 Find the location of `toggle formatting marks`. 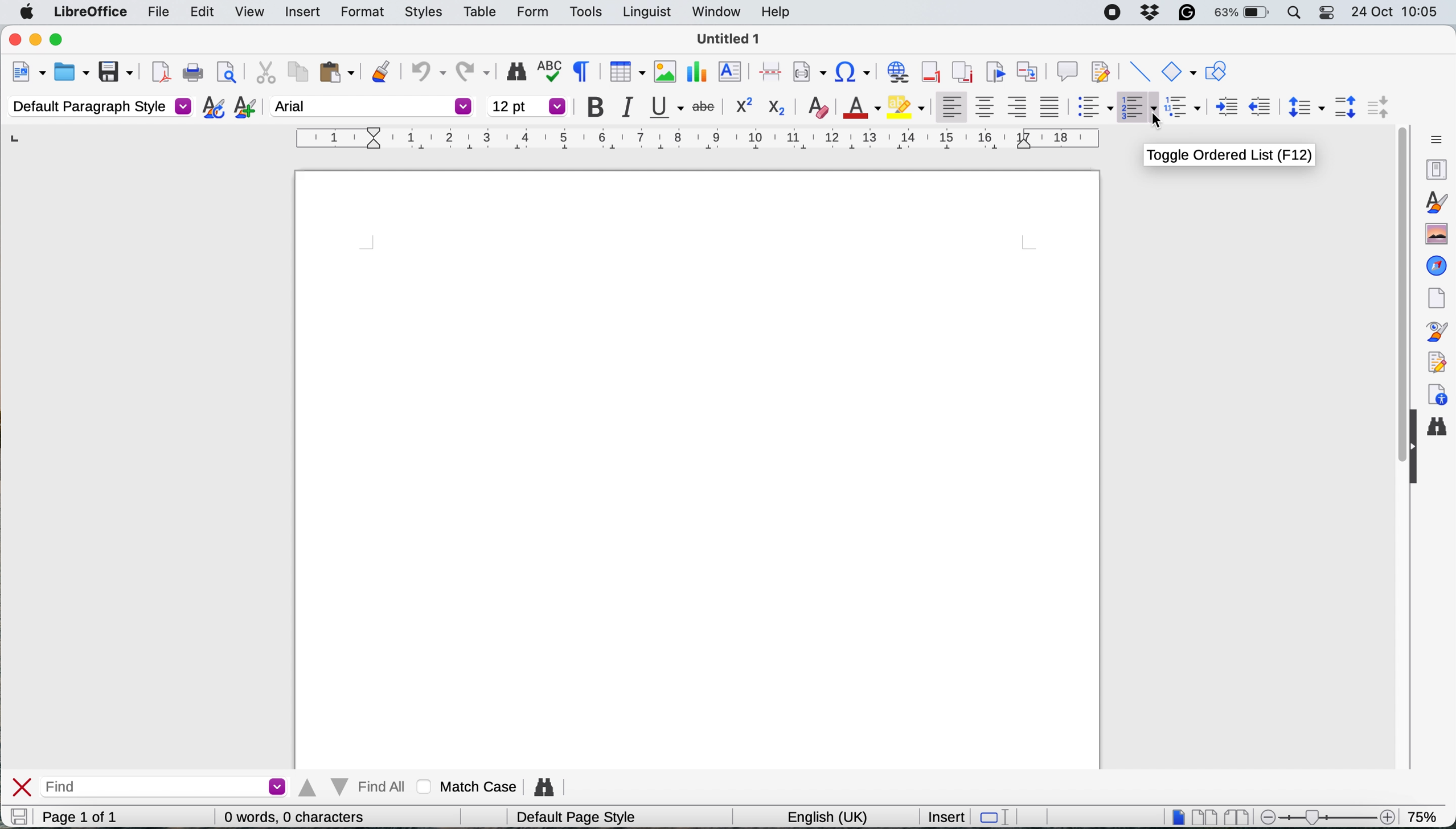

toggle formatting marks is located at coordinates (585, 71).